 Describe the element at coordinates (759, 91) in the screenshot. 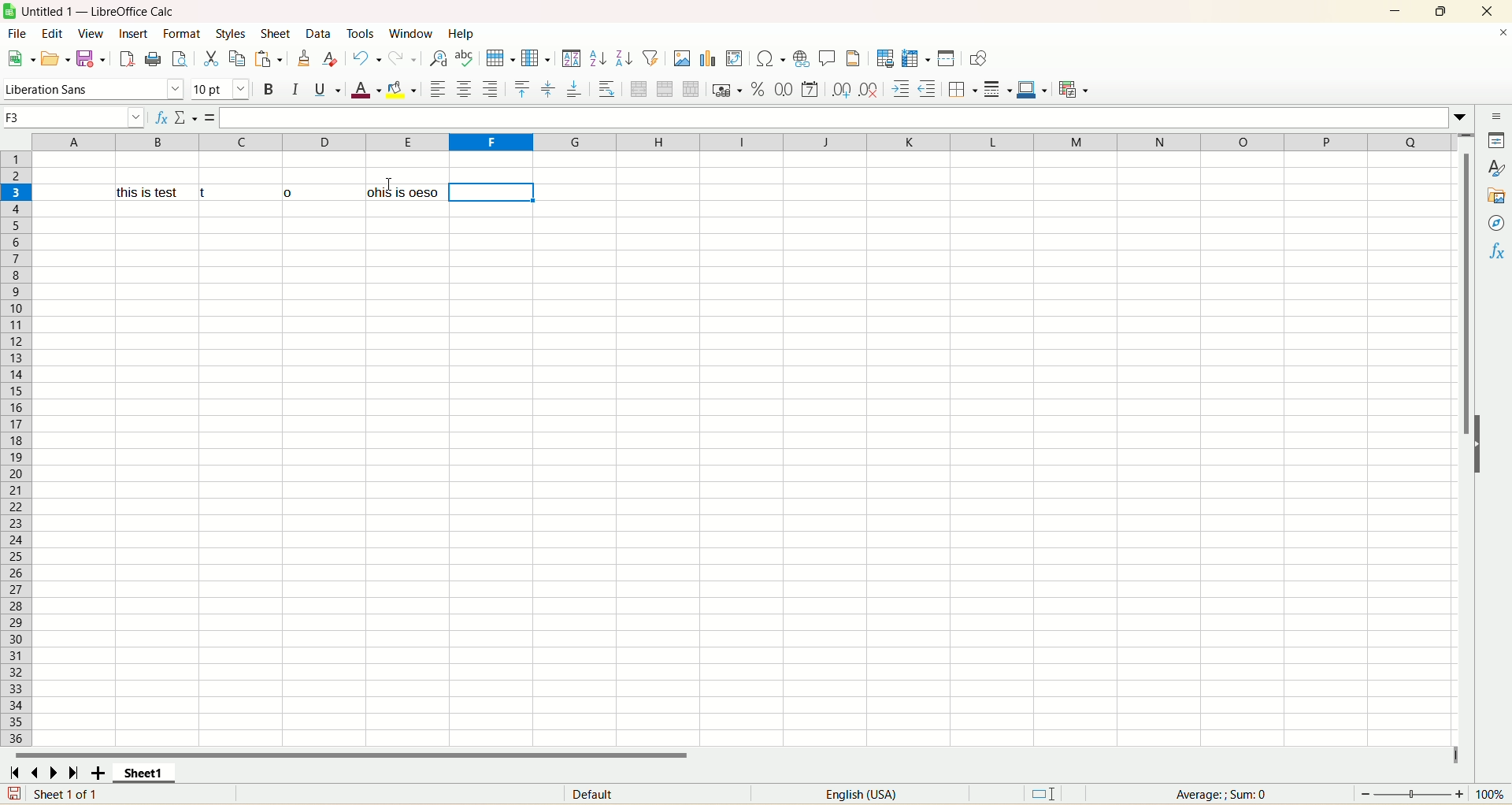

I see `format as percent` at that location.